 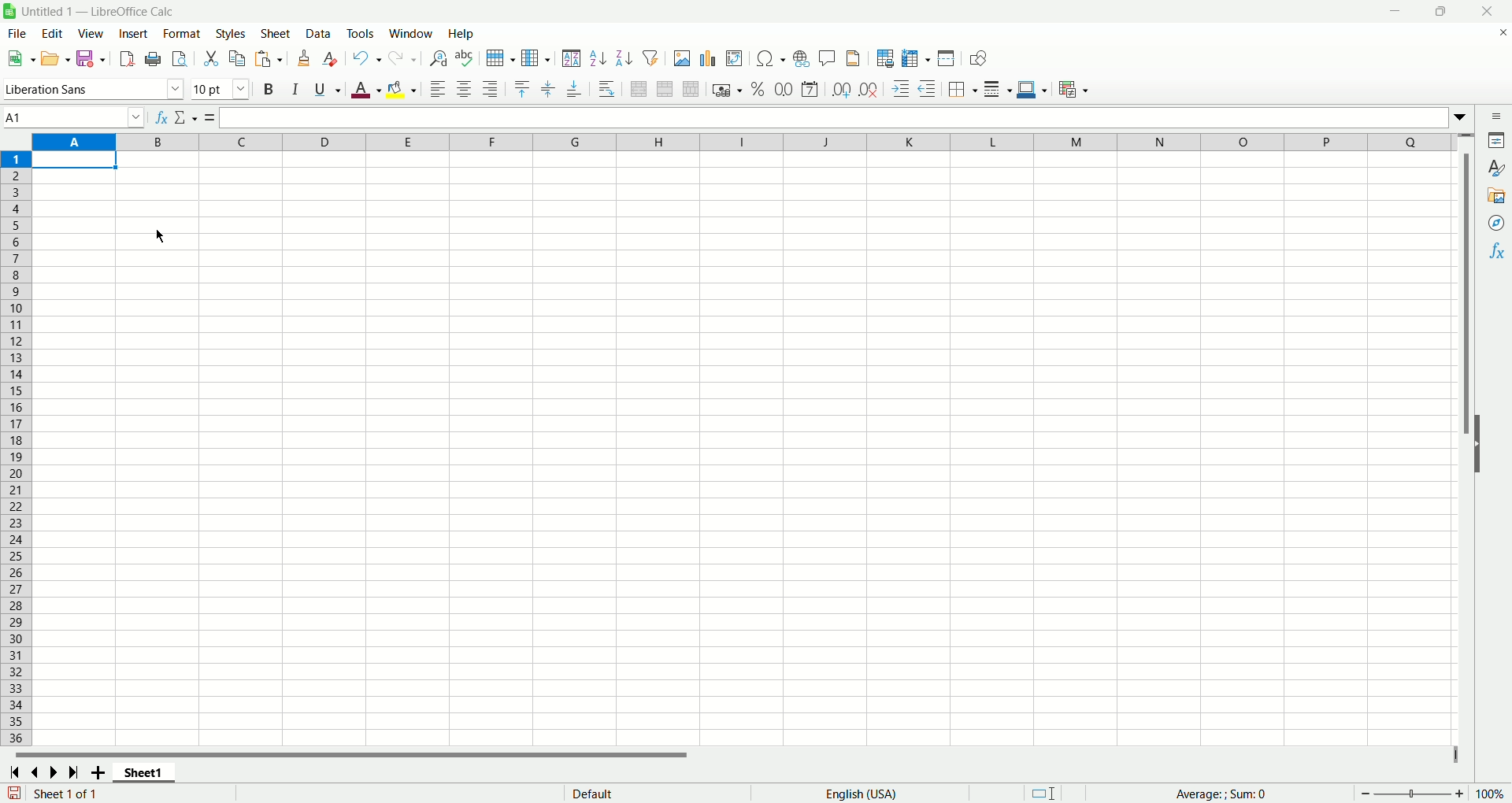 I want to click on column, so click(x=535, y=57).